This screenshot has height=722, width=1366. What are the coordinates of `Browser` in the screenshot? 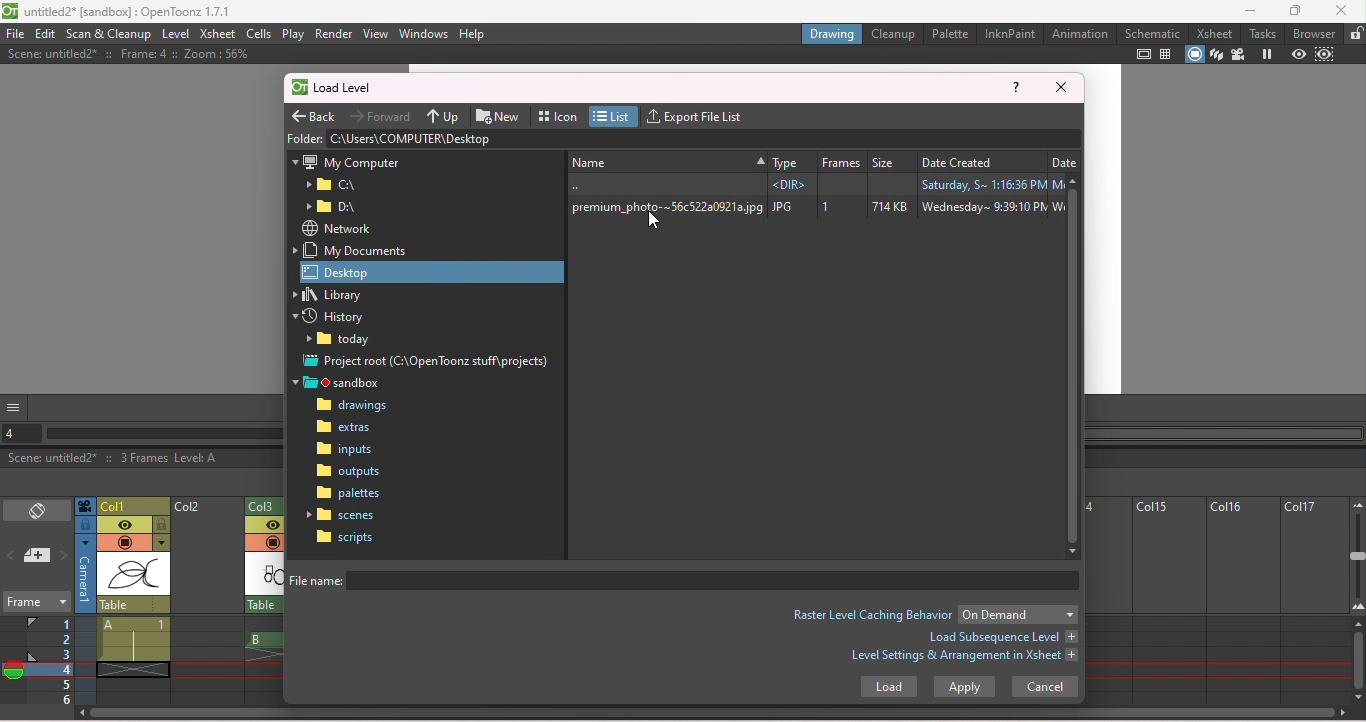 It's located at (1315, 33).